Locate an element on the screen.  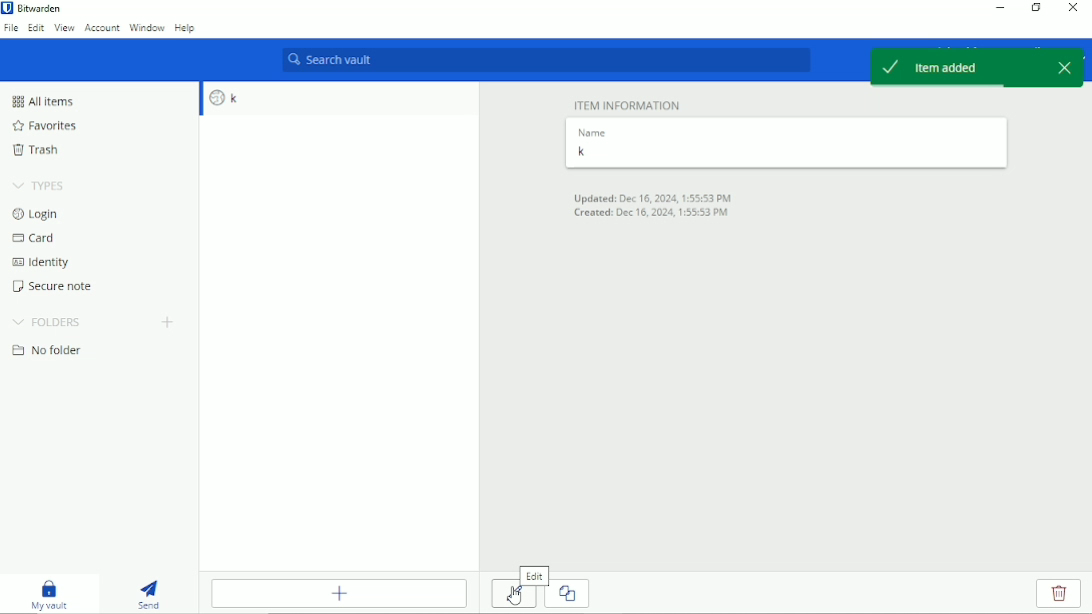
Delete is located at coordinates (1058, 593).